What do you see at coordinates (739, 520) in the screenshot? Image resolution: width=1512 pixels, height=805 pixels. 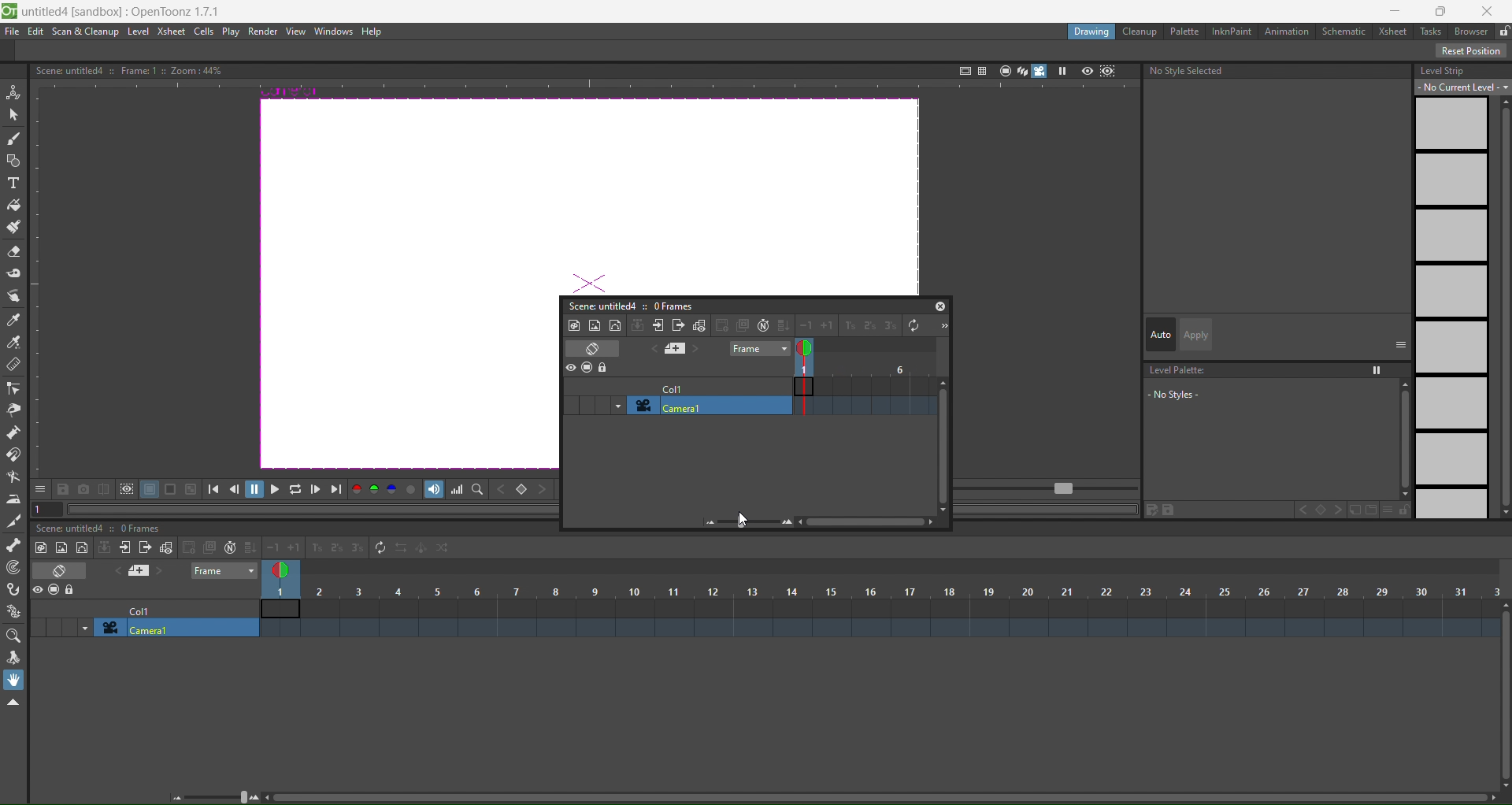 I see `cursor` at bounding box center [739, 520].